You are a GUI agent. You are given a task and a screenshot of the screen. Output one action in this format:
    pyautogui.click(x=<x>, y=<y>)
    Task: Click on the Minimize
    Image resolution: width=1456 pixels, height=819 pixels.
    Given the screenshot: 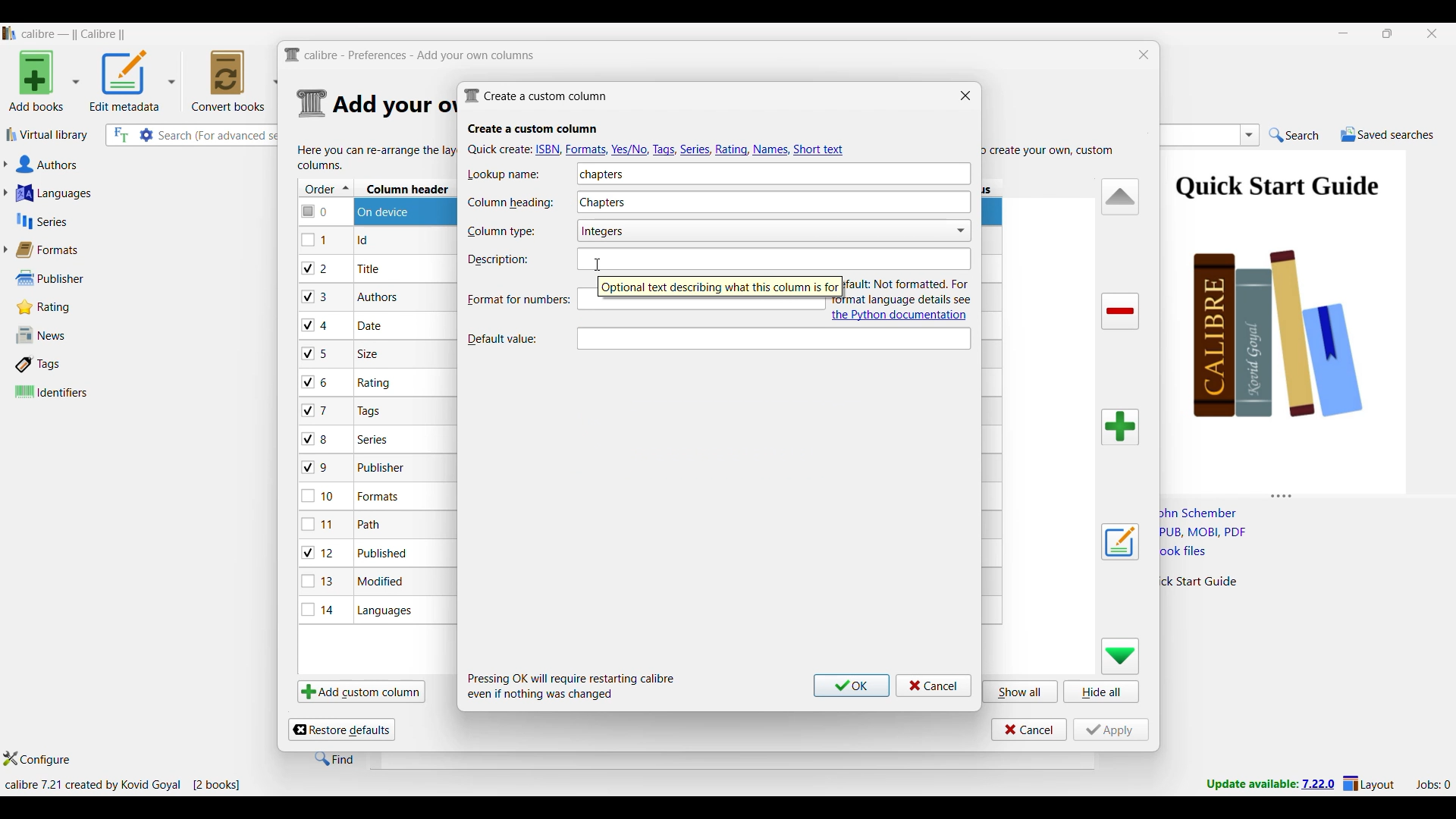 What is the action you would take?
    pyautogui.click(x=1344, y=33)
    